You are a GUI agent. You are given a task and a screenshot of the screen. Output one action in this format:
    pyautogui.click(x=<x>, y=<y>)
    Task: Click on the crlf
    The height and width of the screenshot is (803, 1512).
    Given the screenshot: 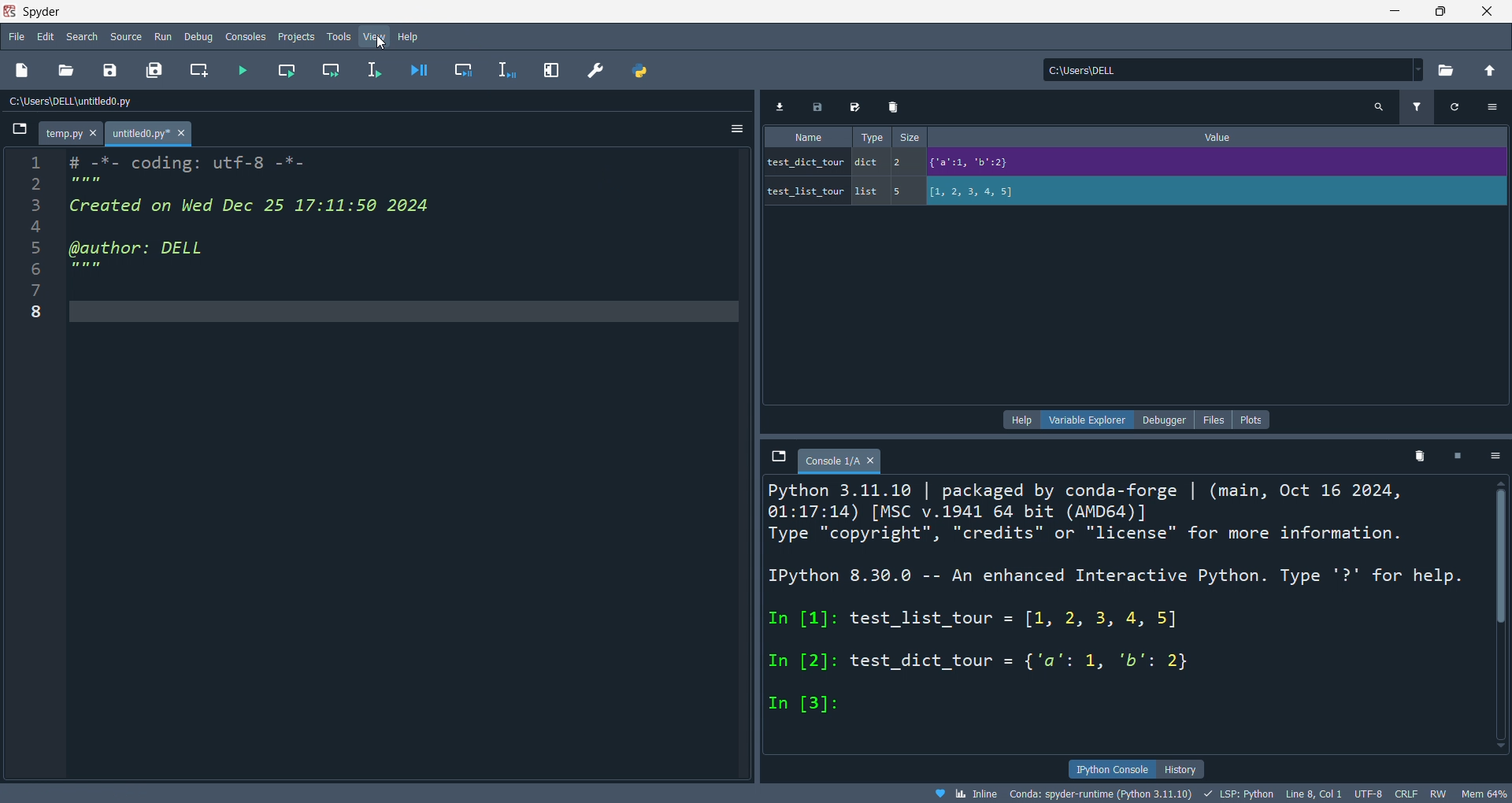 What is the action you would take?
    pyautogui.click(x=1404, y=794)
    